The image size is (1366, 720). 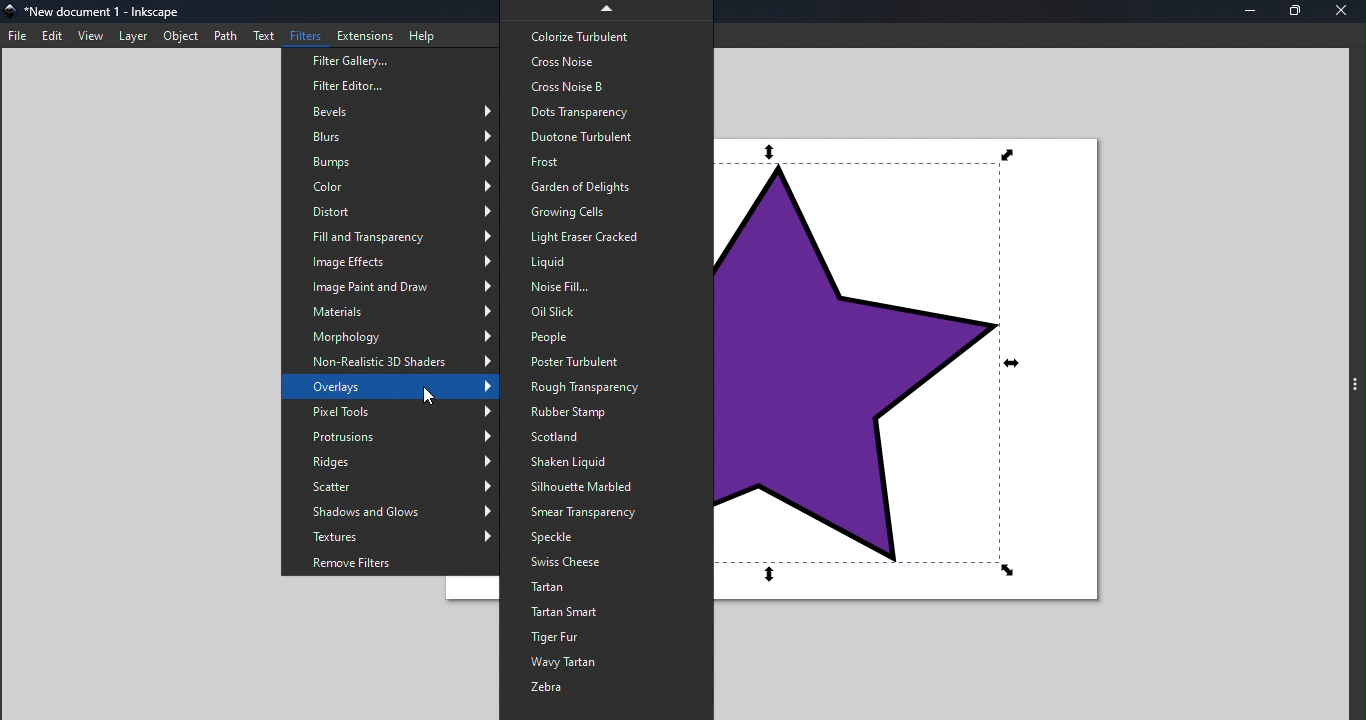 What do you see at coordinates (225, 35) in the screenshot?
I see `Path` at bounding box center [225, 35].